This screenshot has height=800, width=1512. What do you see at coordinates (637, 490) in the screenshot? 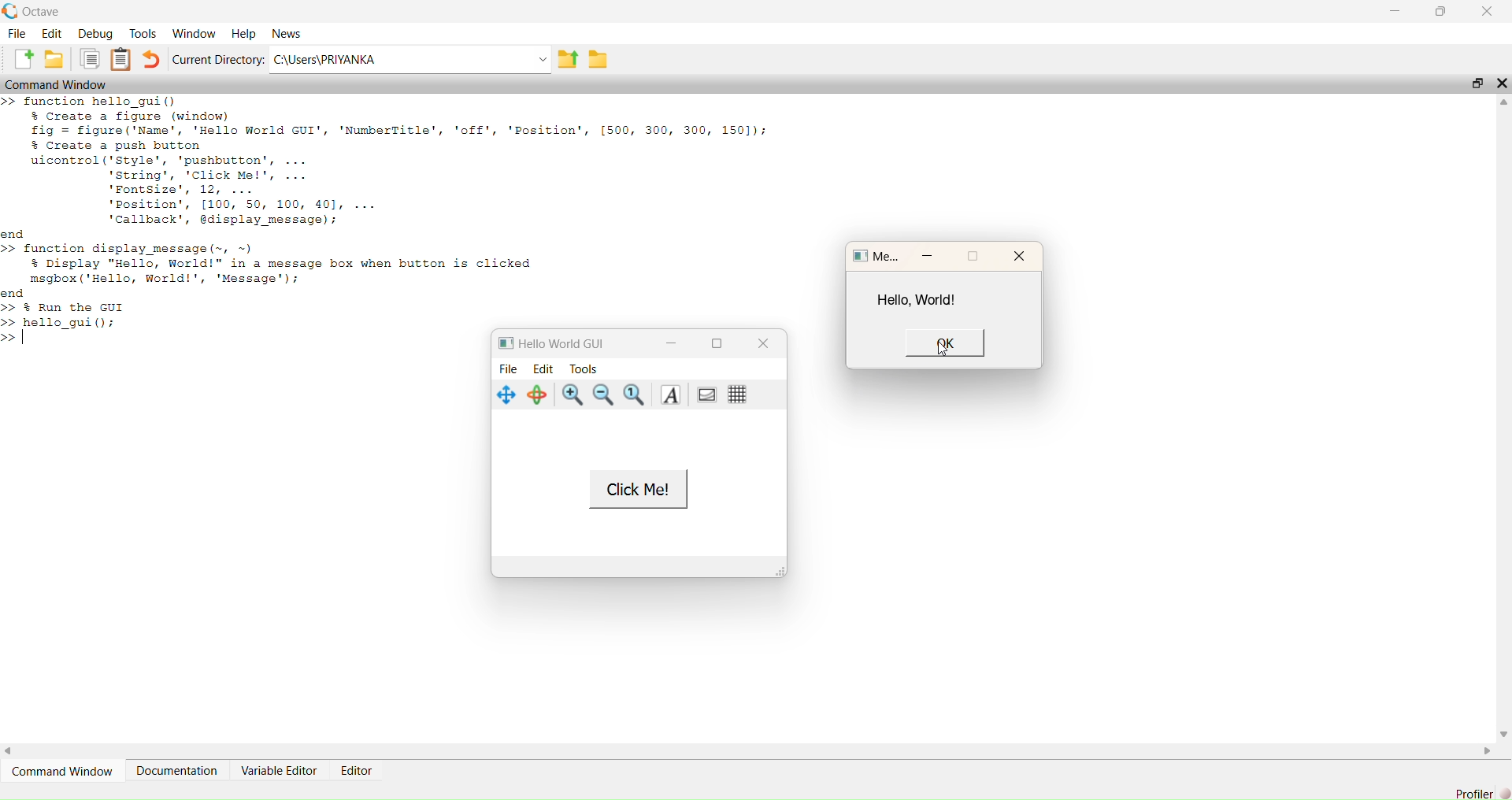
I see `Click Me!` at bounding box center [637, 490].